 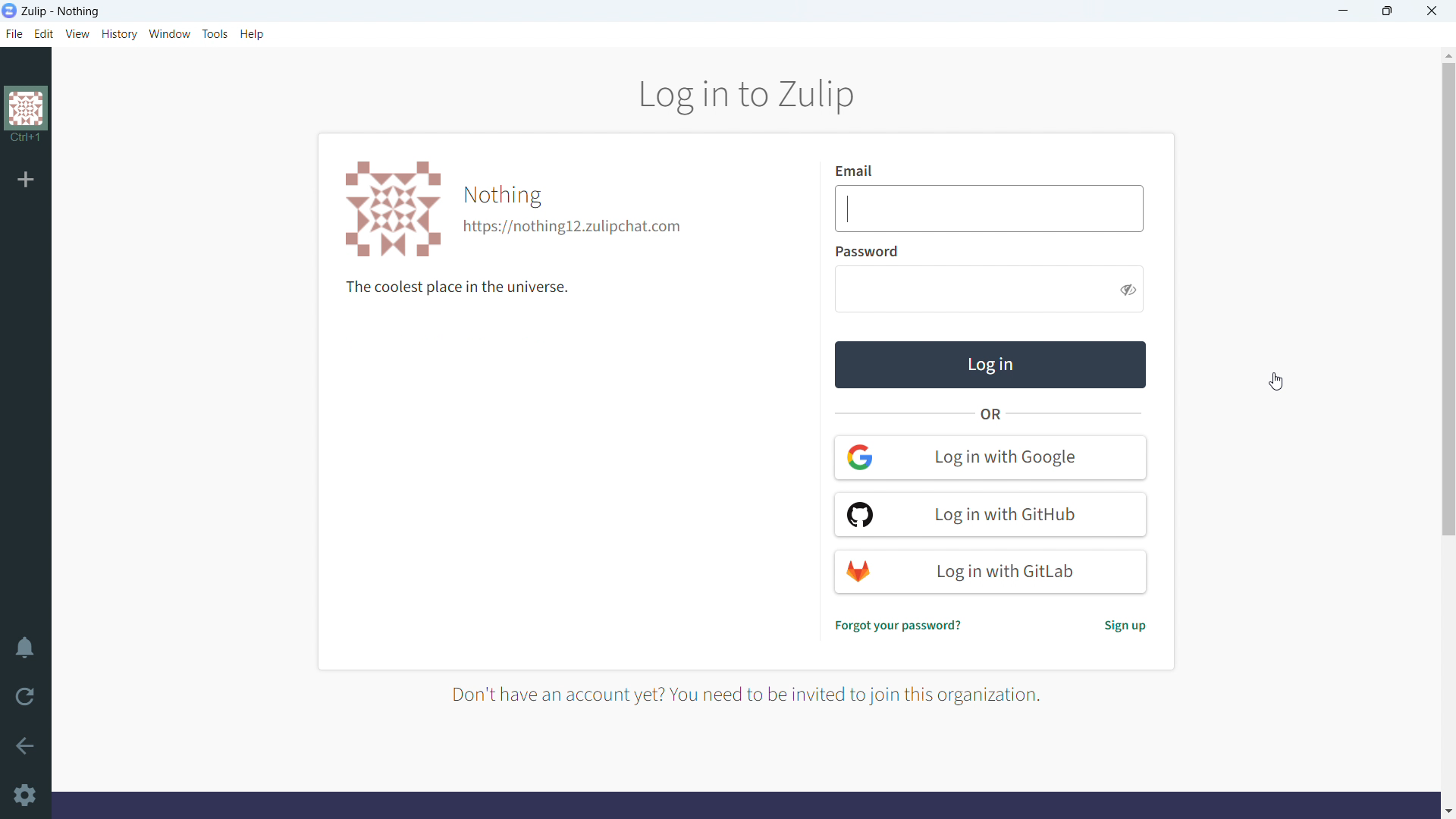 What do you see at coordinates (43, 33) in the screenshot?
I see `edit` at bounding box center [43, 33].